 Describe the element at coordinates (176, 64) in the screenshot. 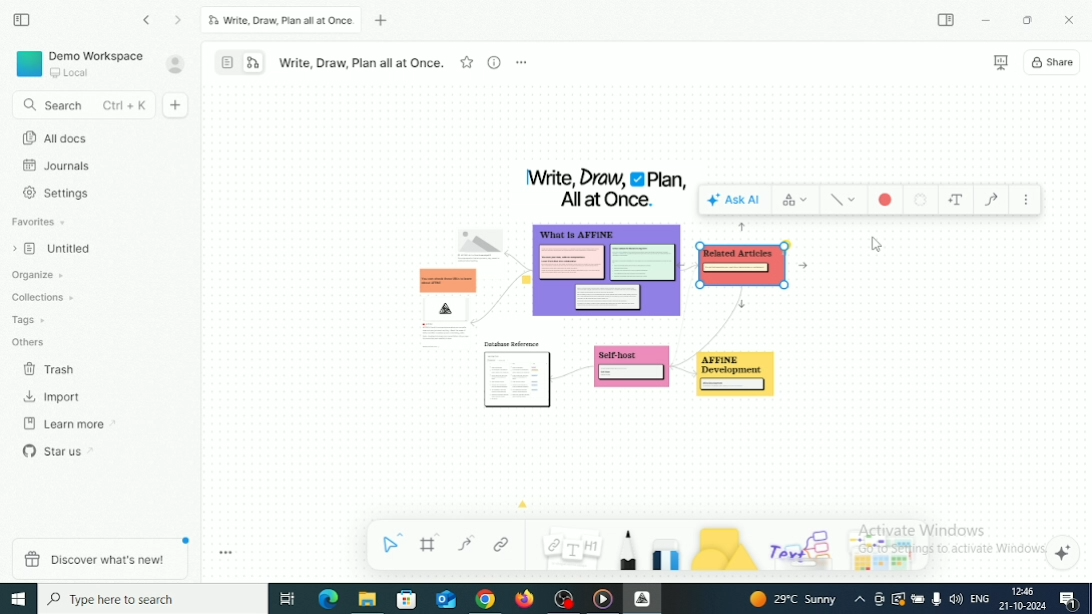

I see `Account` at that location.